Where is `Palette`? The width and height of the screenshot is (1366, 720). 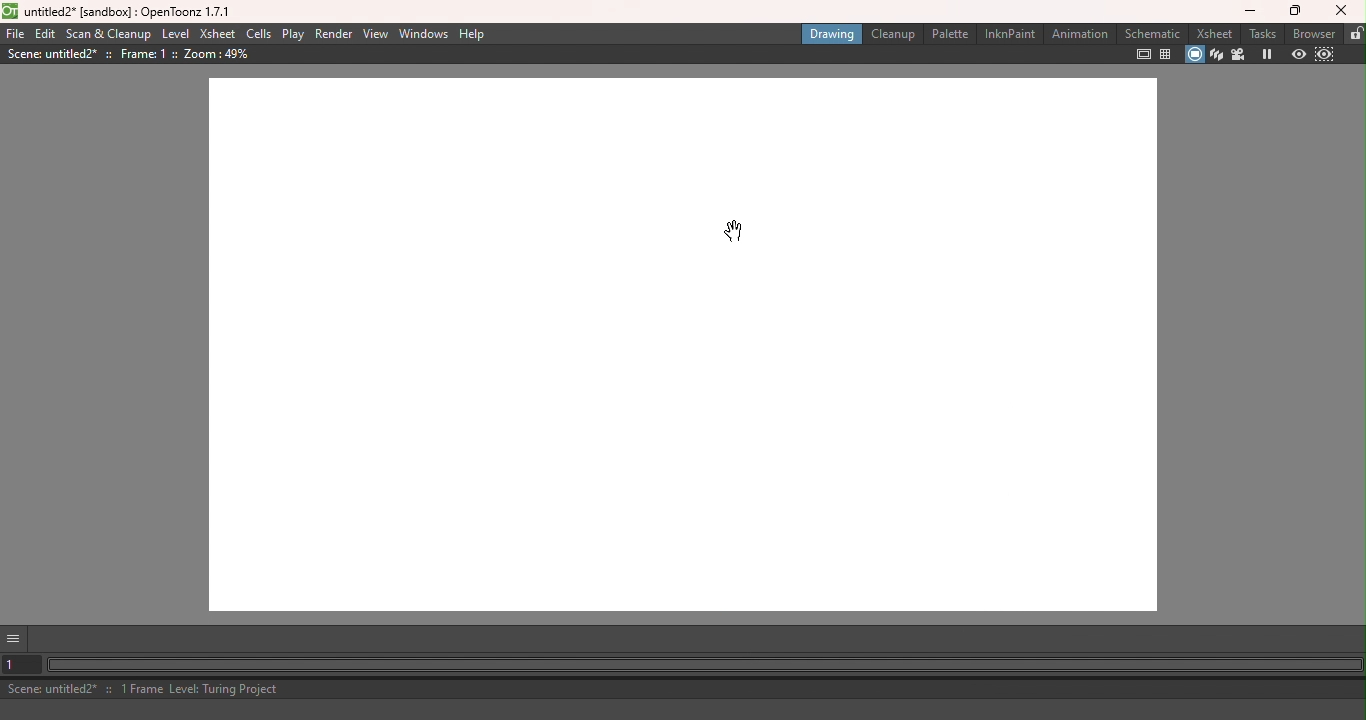
Palette is located at coordinates (949, 34).